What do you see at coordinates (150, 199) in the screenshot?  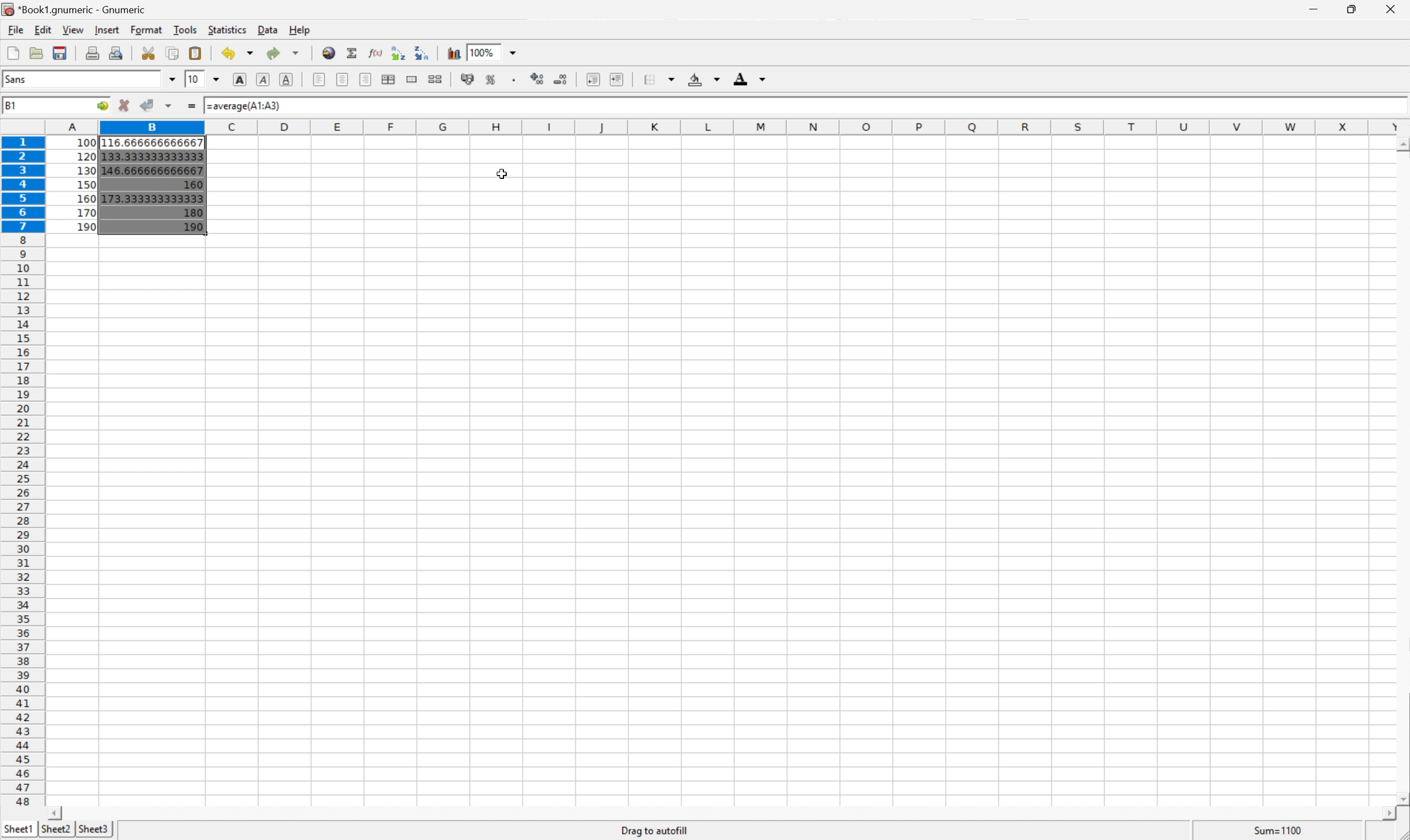 I see `173.333333333333` at bounding box center [150, 199].